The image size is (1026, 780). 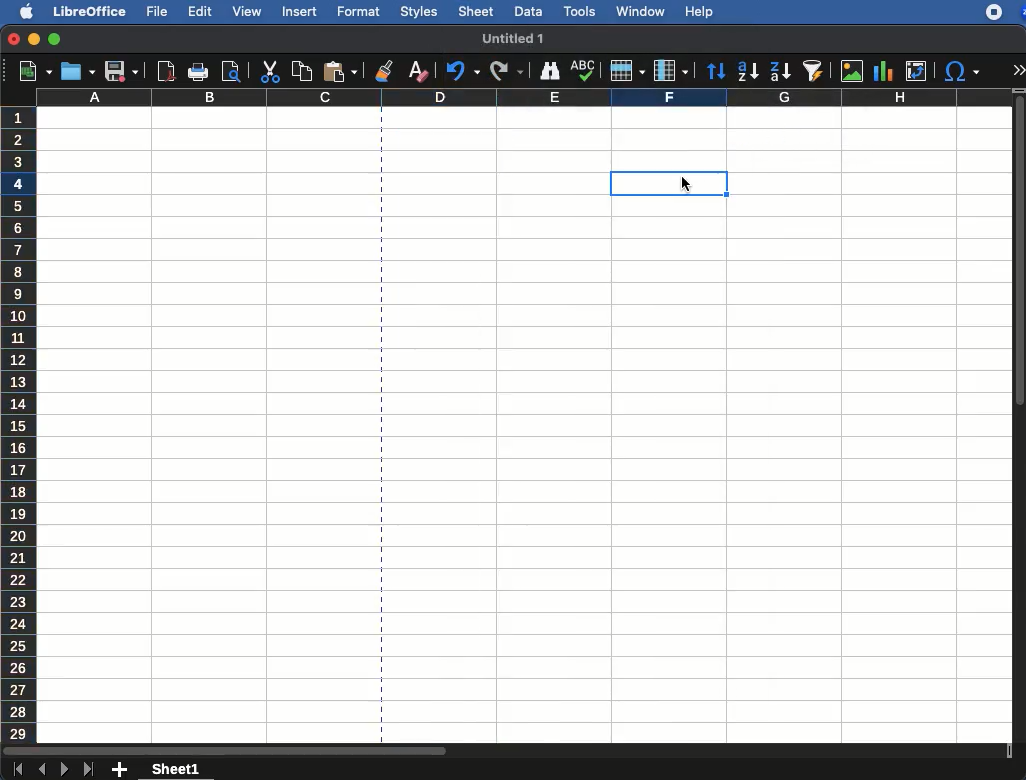 I want to click on sheet, so click(x=475, y=12).